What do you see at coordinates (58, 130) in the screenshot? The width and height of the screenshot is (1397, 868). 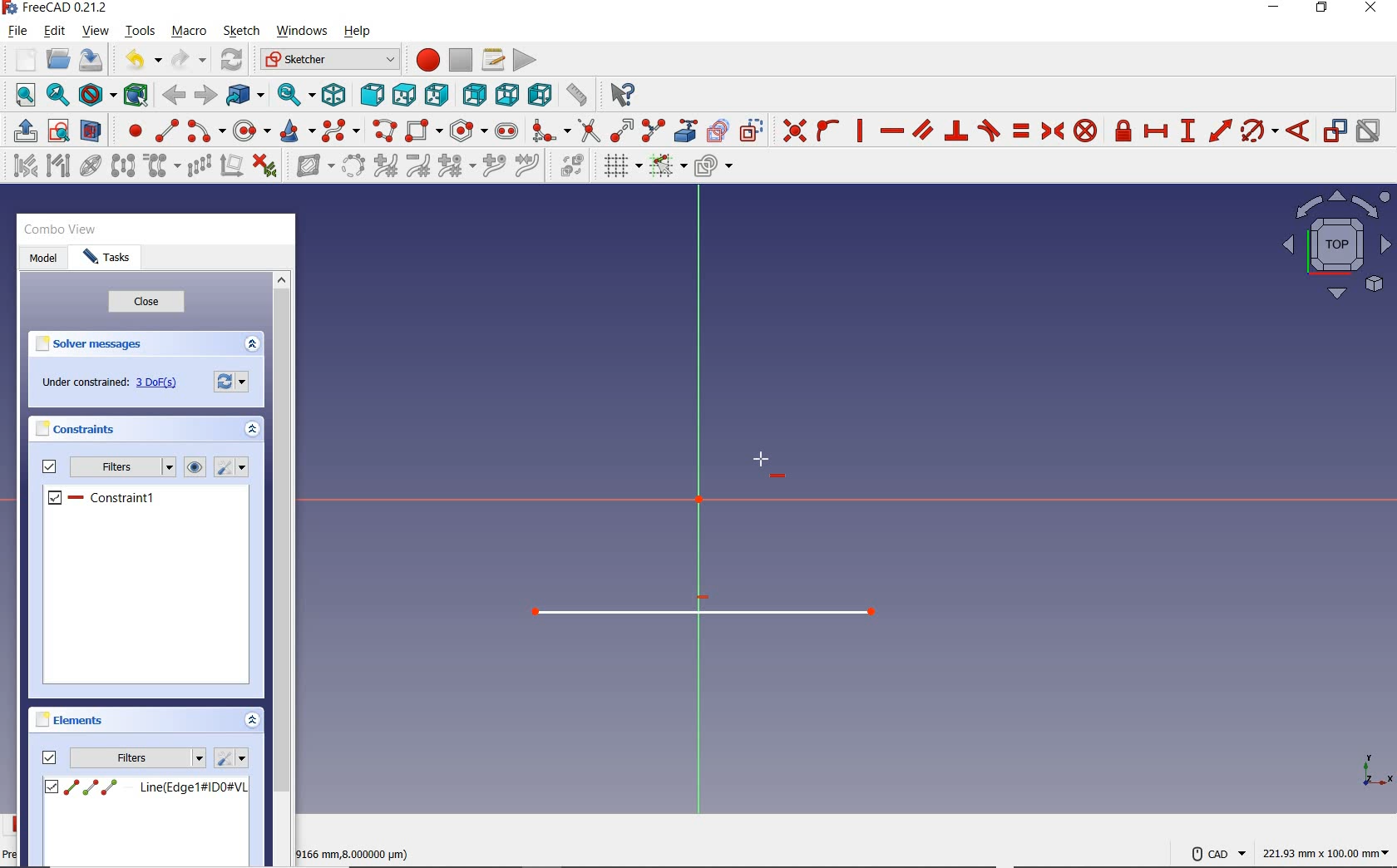 I see `VIEW SKETCH` at bounding box center [58, 130].